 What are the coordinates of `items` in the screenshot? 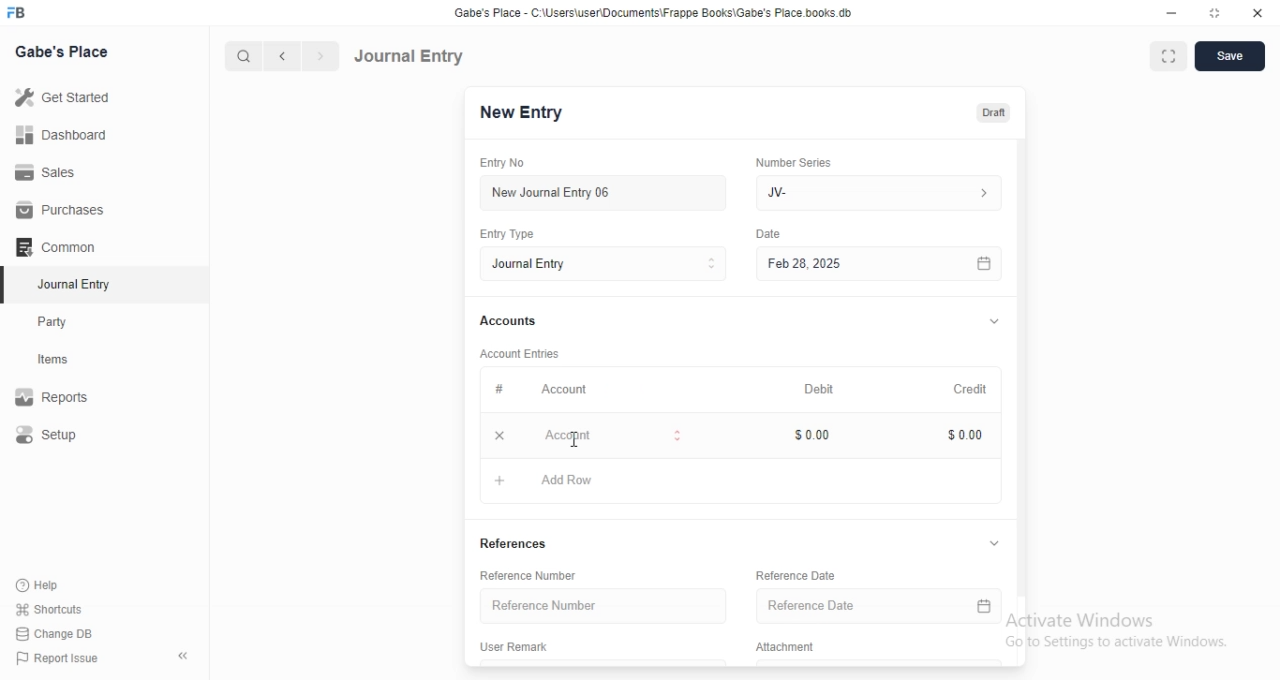 It's located at (66, 361).